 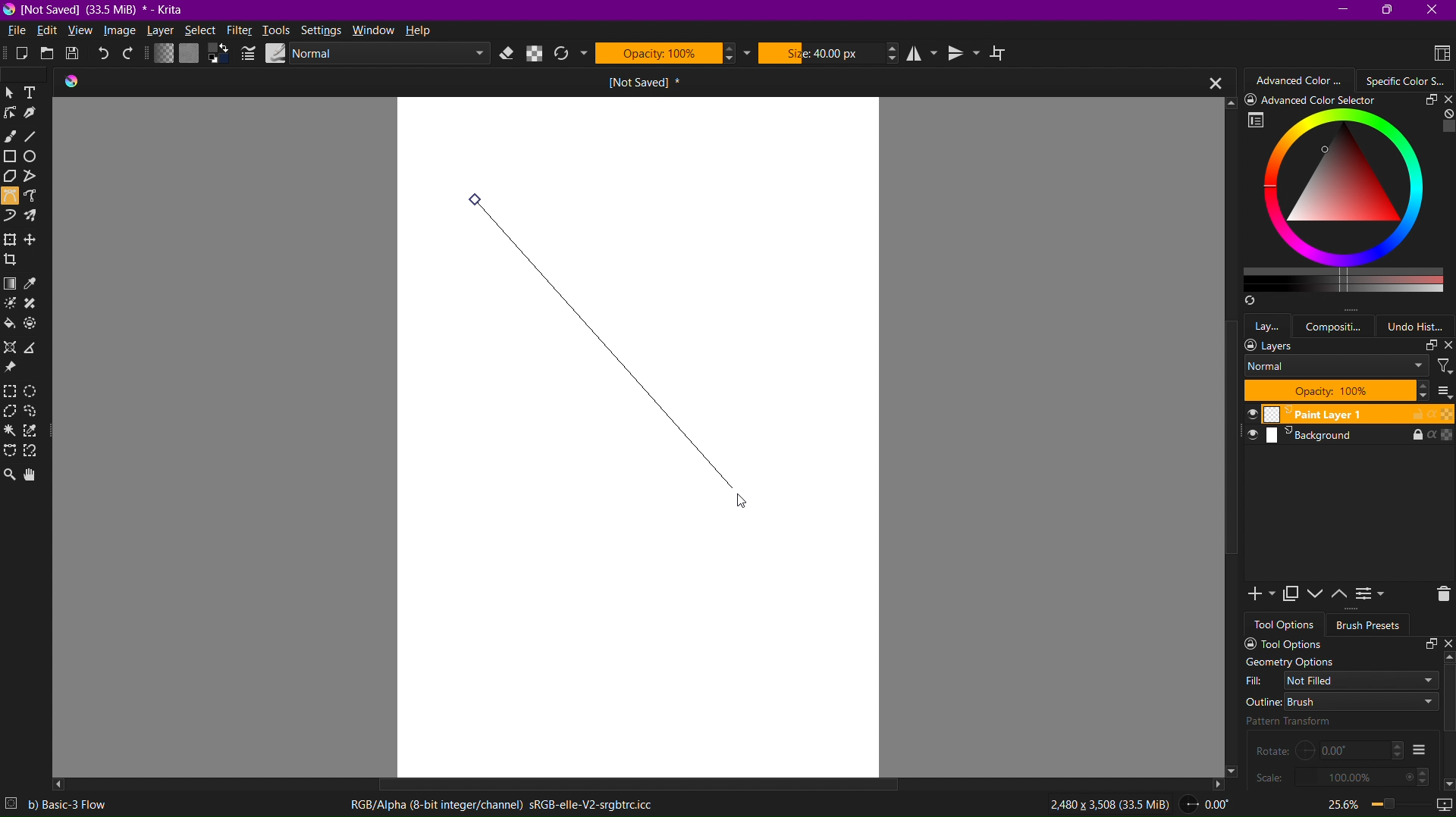 What do you see at coordinates (1438, 595) in the screenshot?
I see `Delete Layer or Mask` at bounding box center [1438, 595].